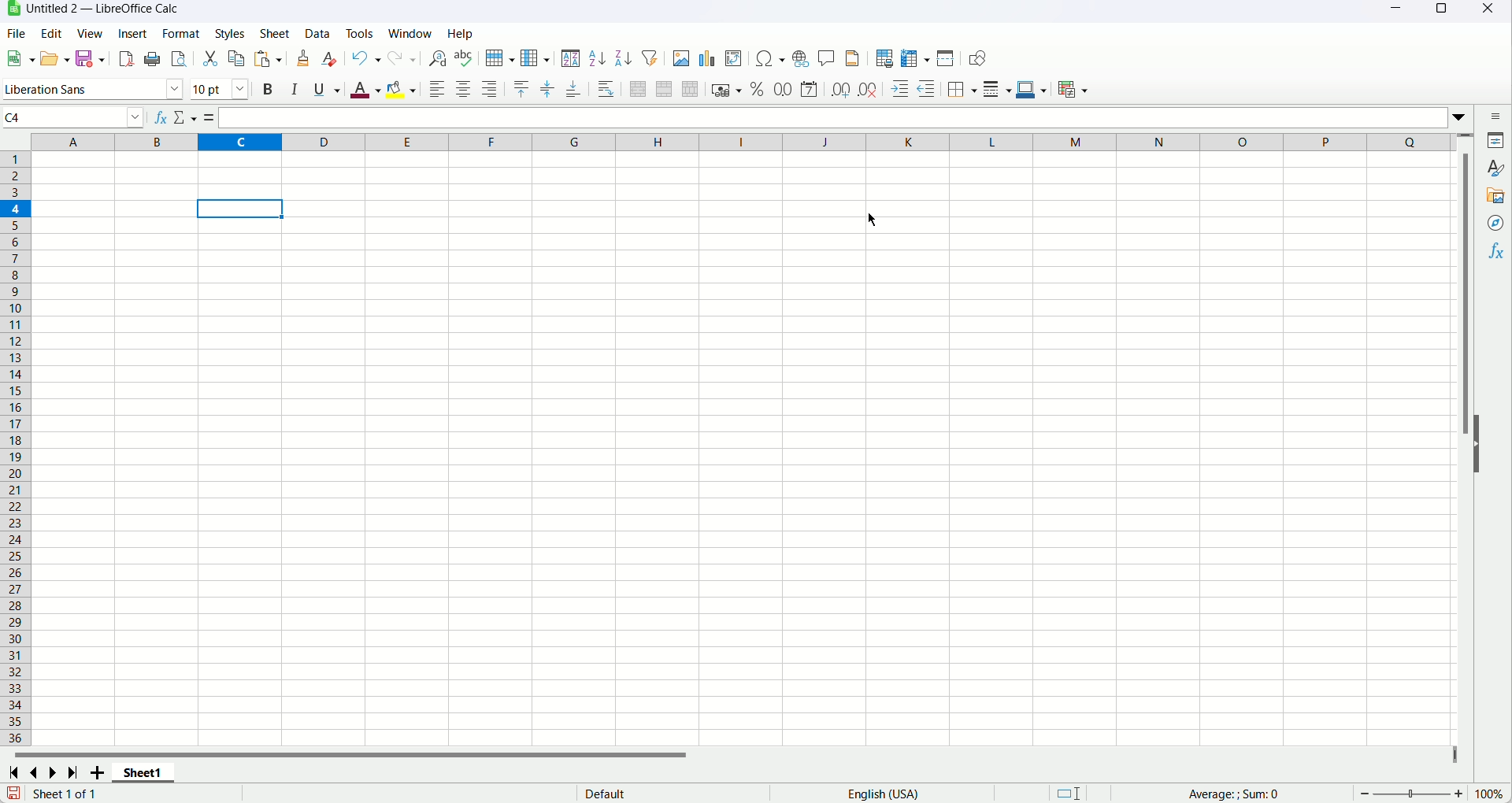 The width and height of the screenshot is (1512, 803). Describe the element at coordinates (365, 91) in the screenshot. I see `Font color` at that location.